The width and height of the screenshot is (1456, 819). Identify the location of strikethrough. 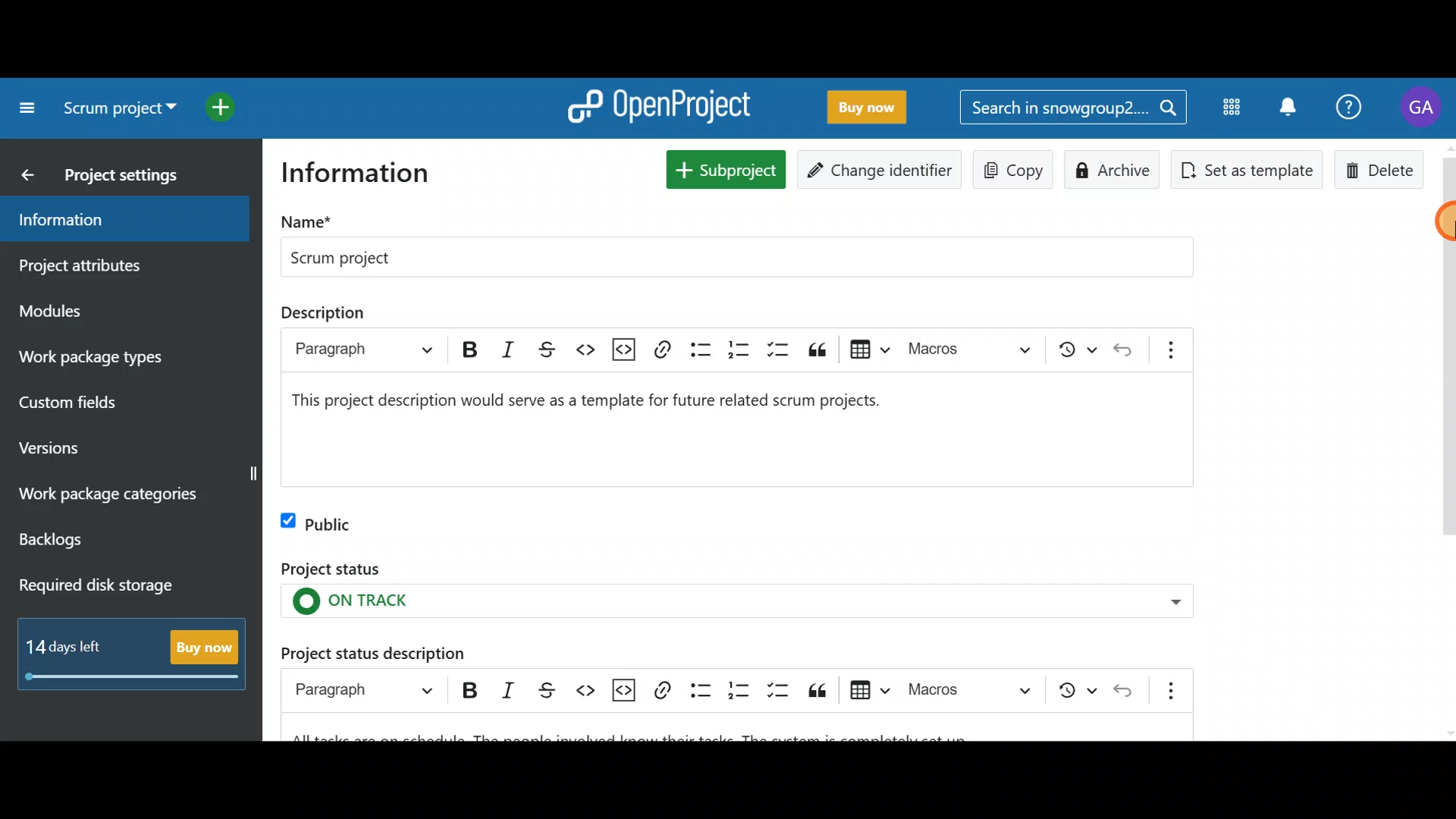
(546, 350).